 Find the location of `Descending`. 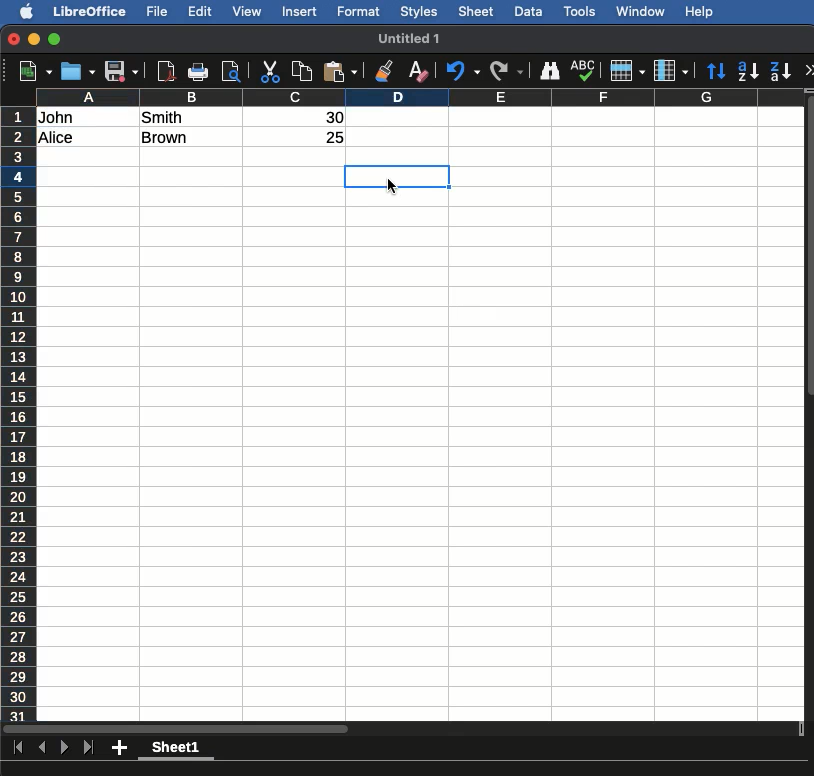

Descending is located at coordinates (781, 71).